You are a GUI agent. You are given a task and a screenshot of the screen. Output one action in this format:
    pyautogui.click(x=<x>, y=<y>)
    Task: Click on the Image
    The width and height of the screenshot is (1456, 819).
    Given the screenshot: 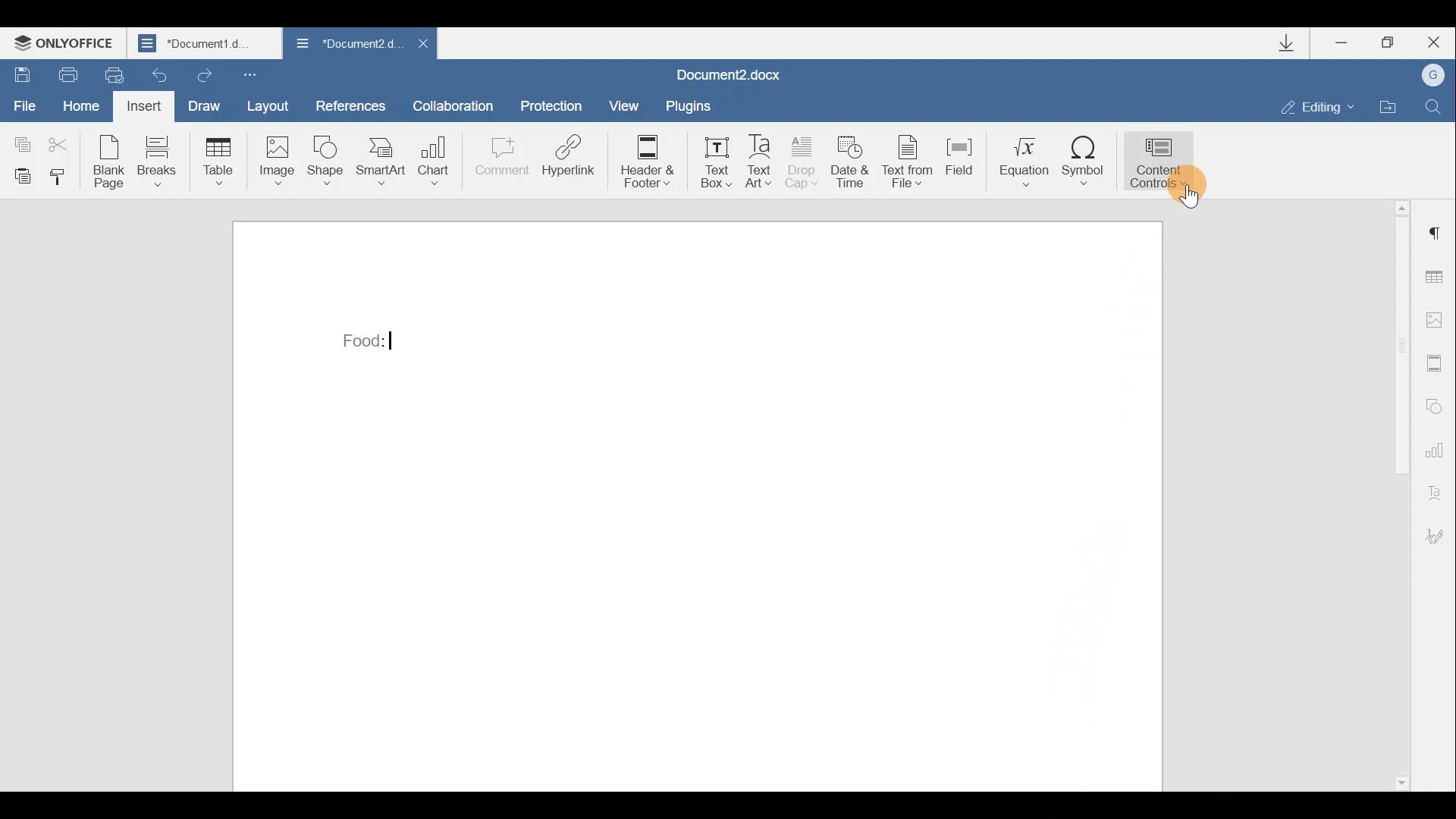 What is the action you would take?
    pyautogui.click(x=276, y=162)
    